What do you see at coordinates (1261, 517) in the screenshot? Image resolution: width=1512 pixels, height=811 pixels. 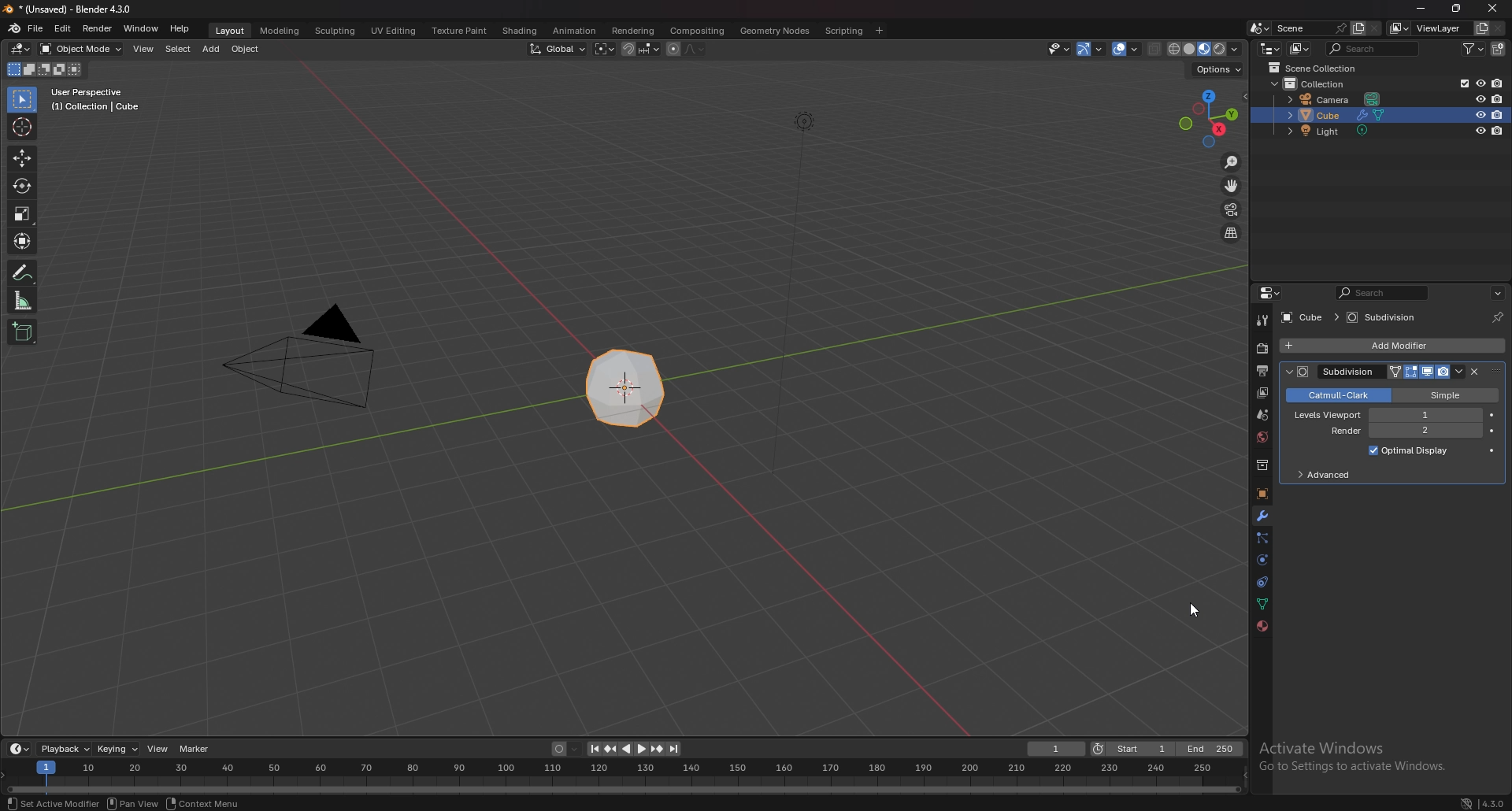 I see `modifier` at bounding box center [1261, 517].